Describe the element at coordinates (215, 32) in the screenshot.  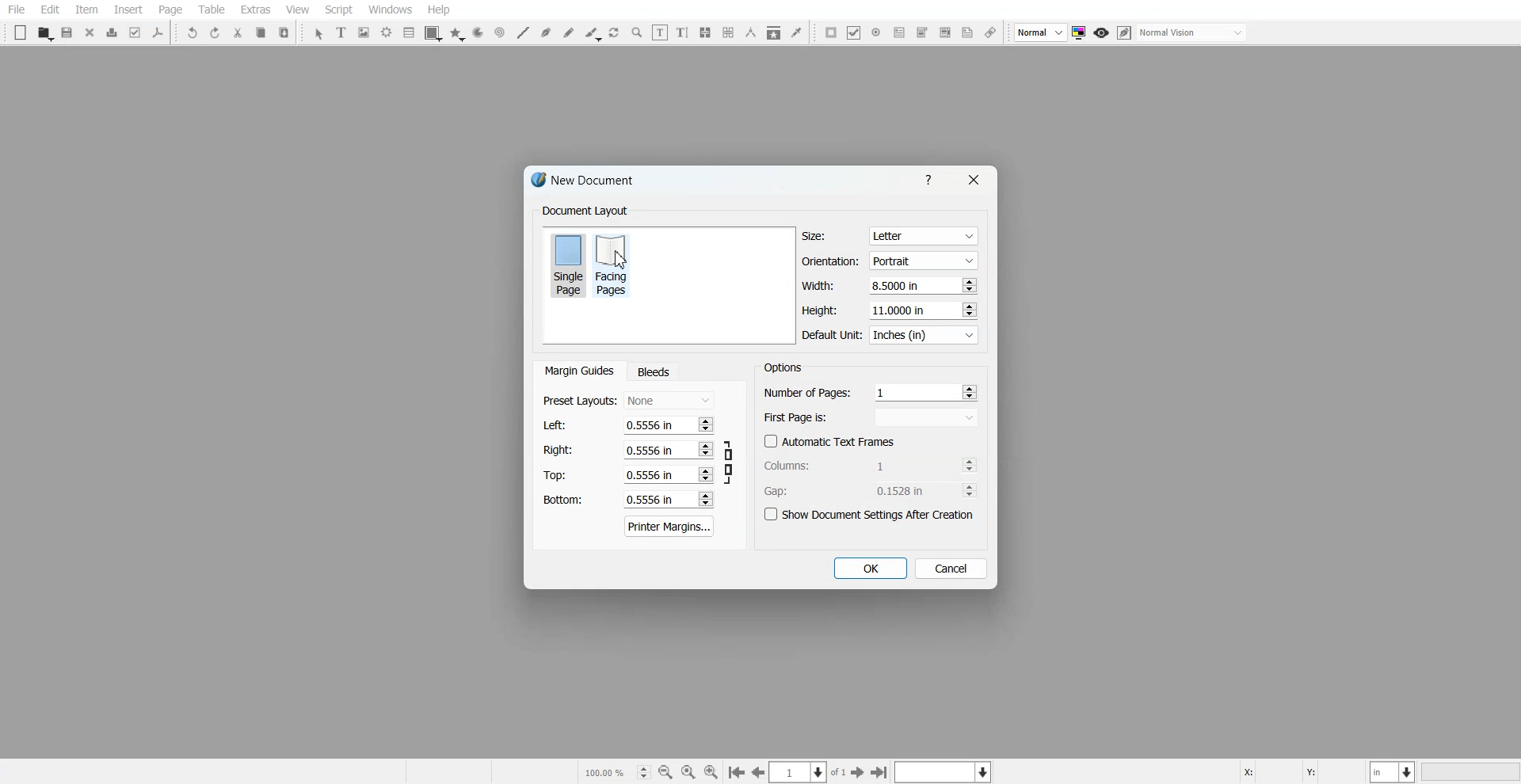
I see `Redo` at that location.